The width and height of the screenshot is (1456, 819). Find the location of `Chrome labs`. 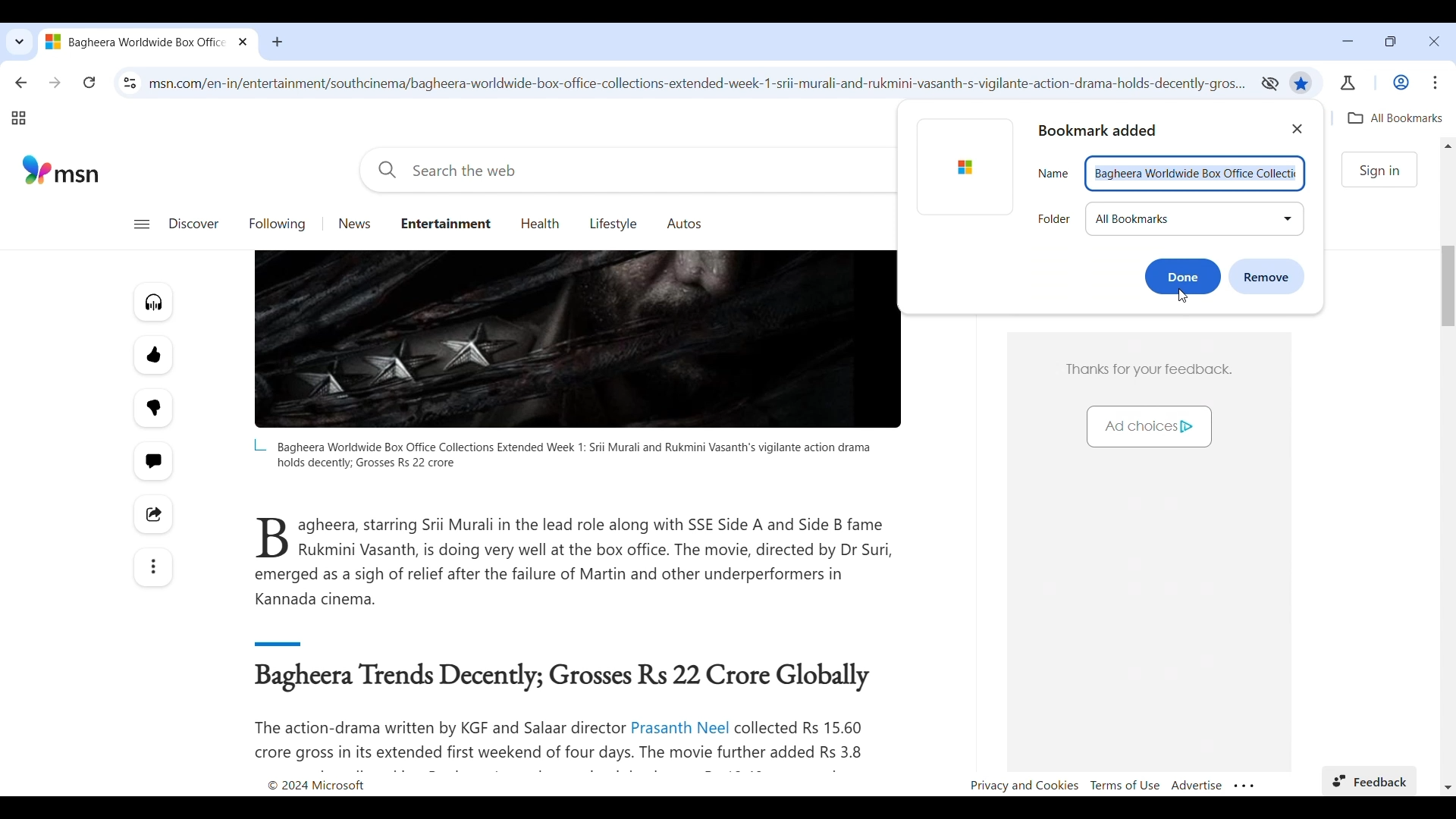

Chrome labs is located at coordinates (1348, 83).